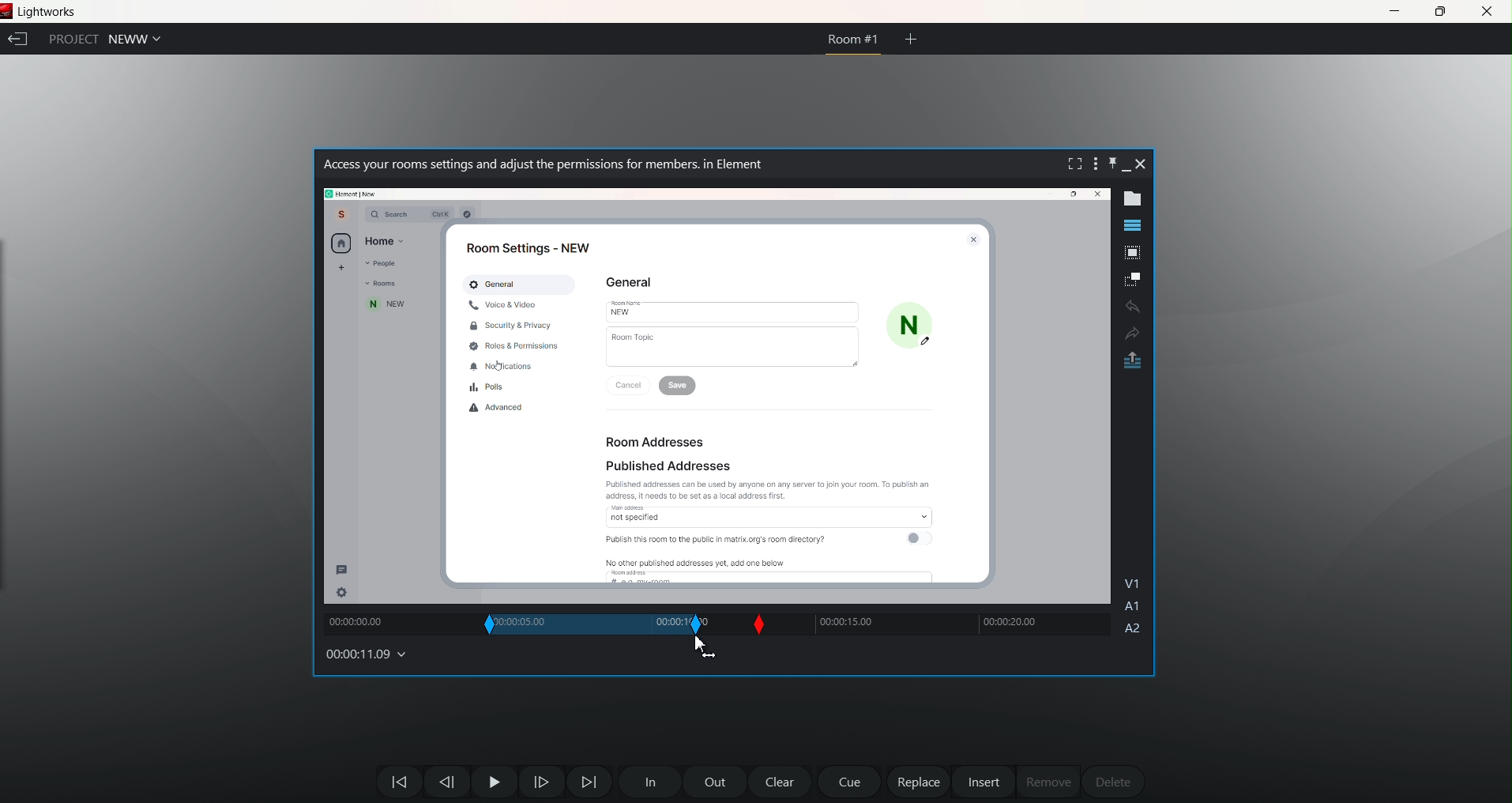  What do you see at coordinates (386, 214) in the screenshot?
I see `Q Search` at bounding box center [386, 214].